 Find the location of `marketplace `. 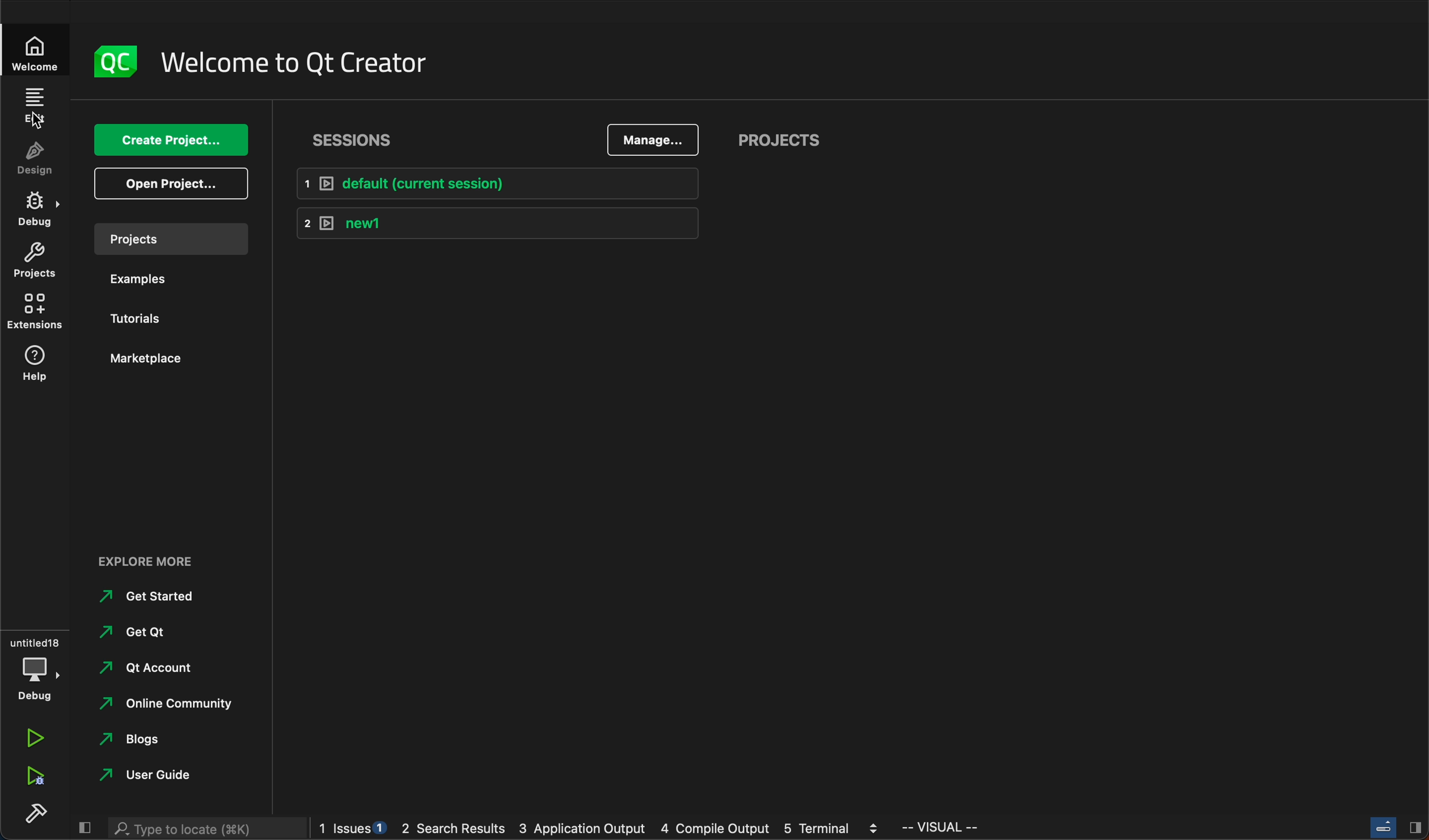

marketplace  is located at coordinates (164, 357).